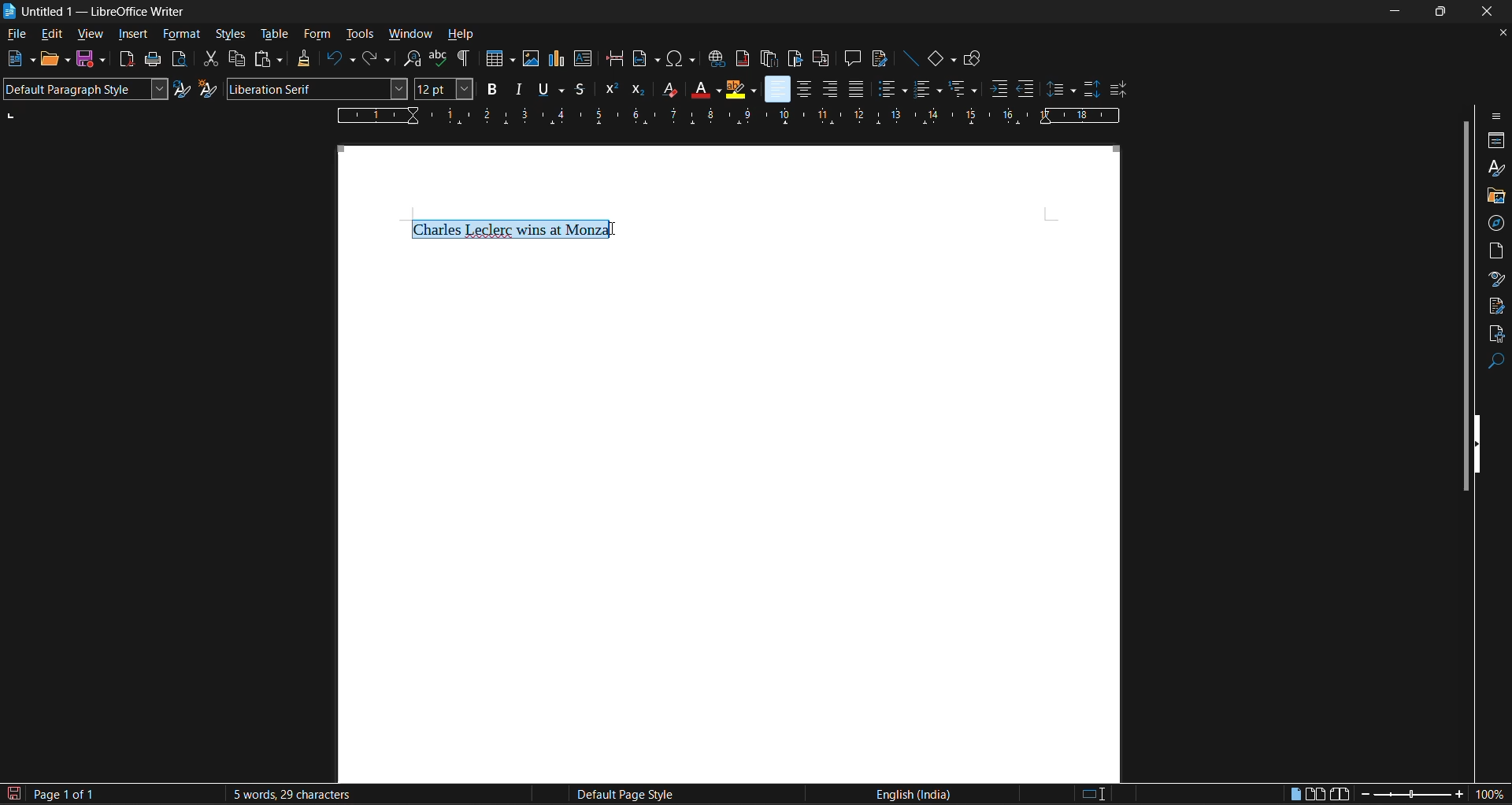  Describe the element at coordinates (273, 35) in the screenshot. I see `table` at that location.